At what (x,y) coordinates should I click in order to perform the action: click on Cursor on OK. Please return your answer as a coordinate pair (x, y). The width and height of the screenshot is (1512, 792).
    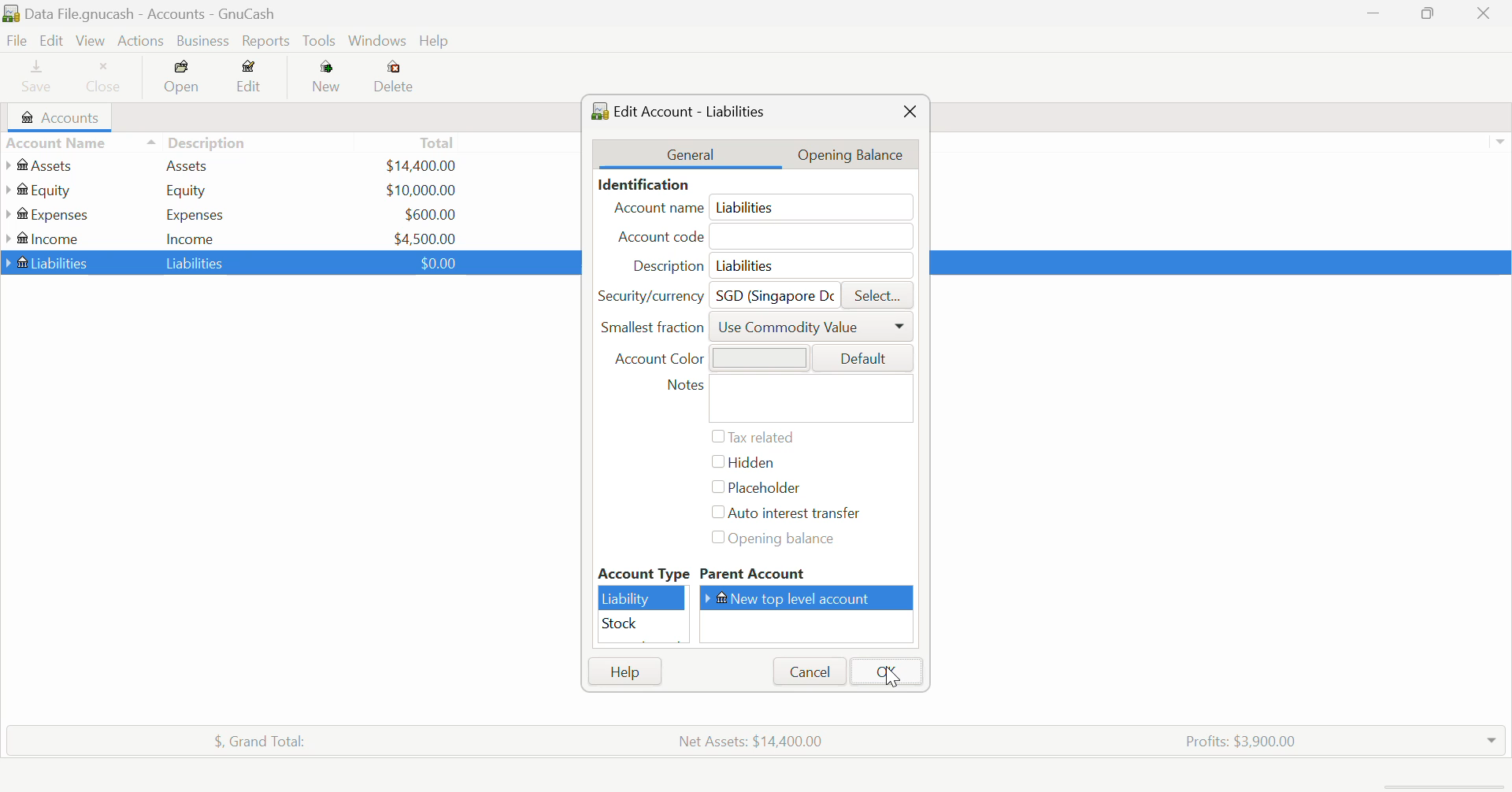
    Looking at the image, I should click on (894, 676).